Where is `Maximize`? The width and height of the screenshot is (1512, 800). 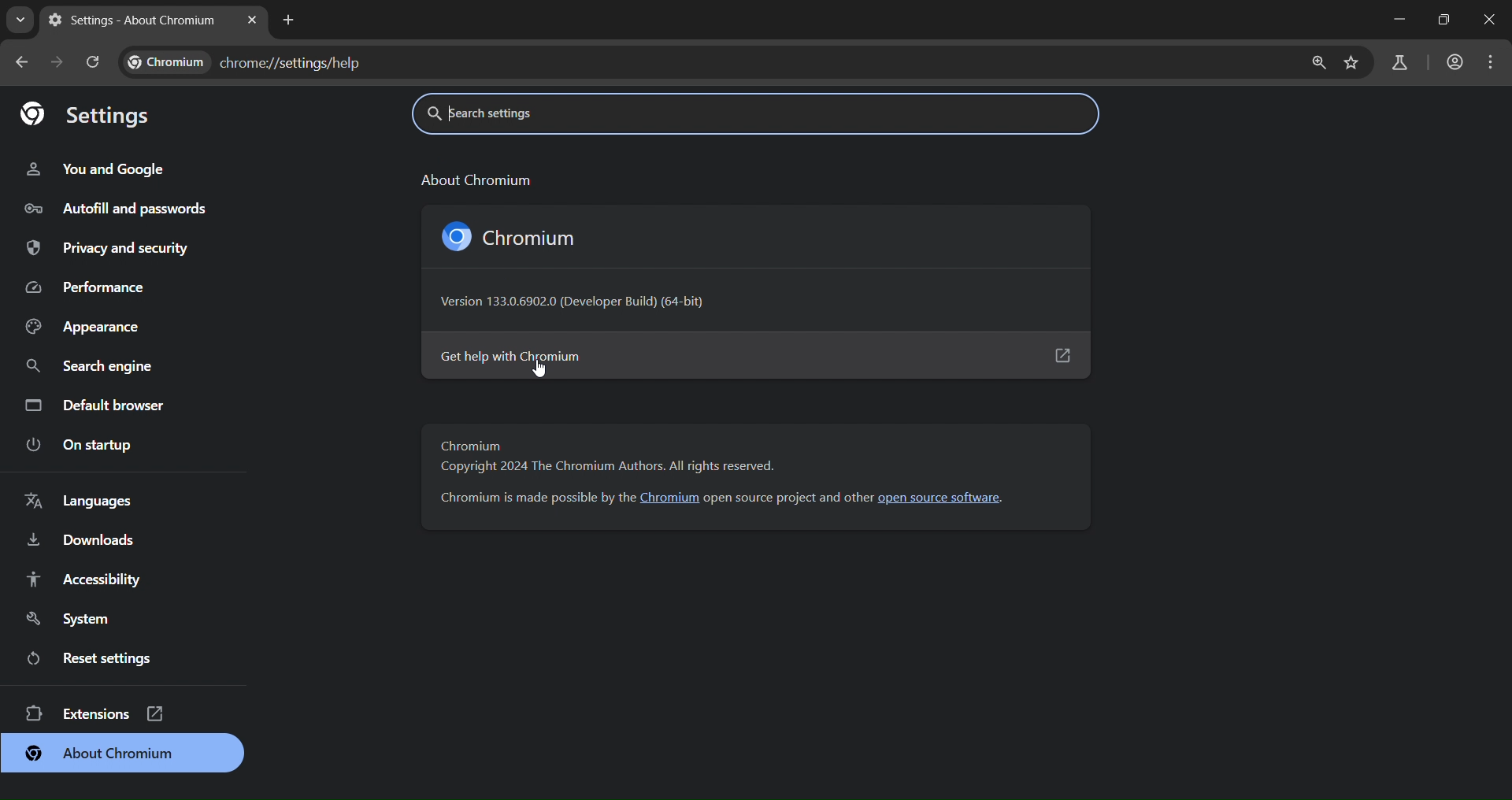
Maximize is located at coordinates (1443, 19).